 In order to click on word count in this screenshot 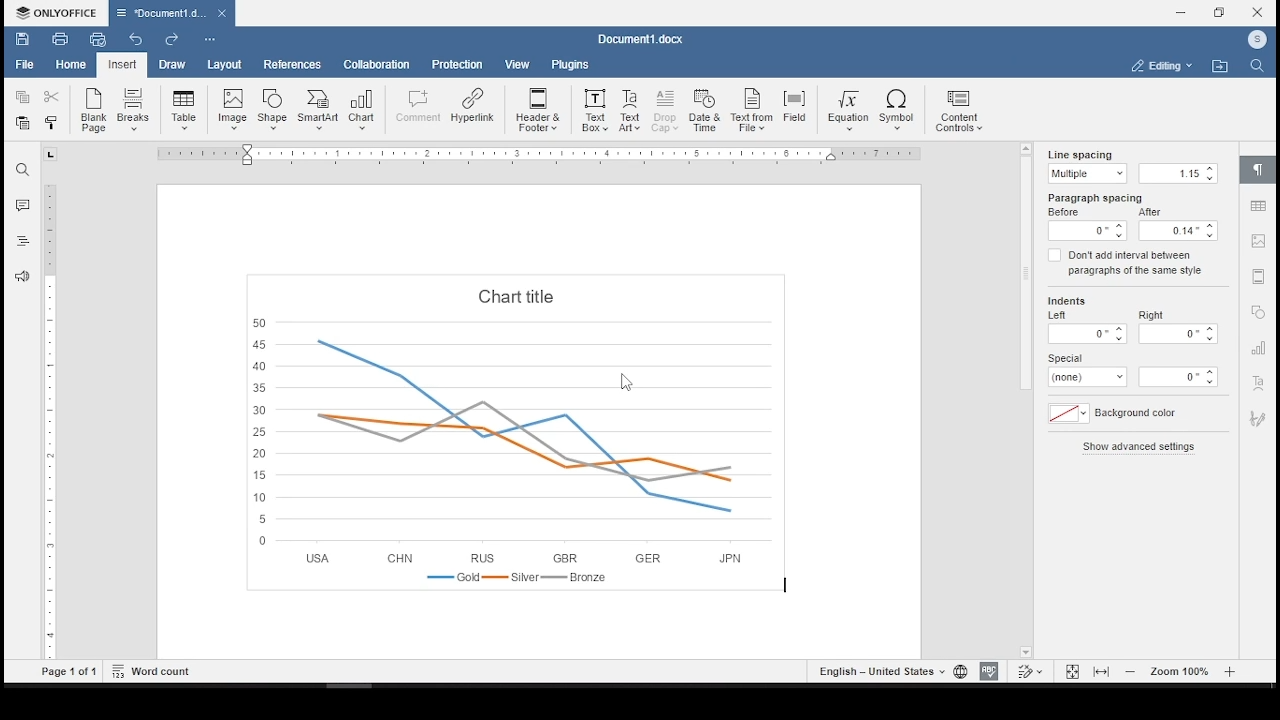, I will do `click(153, 671)`.